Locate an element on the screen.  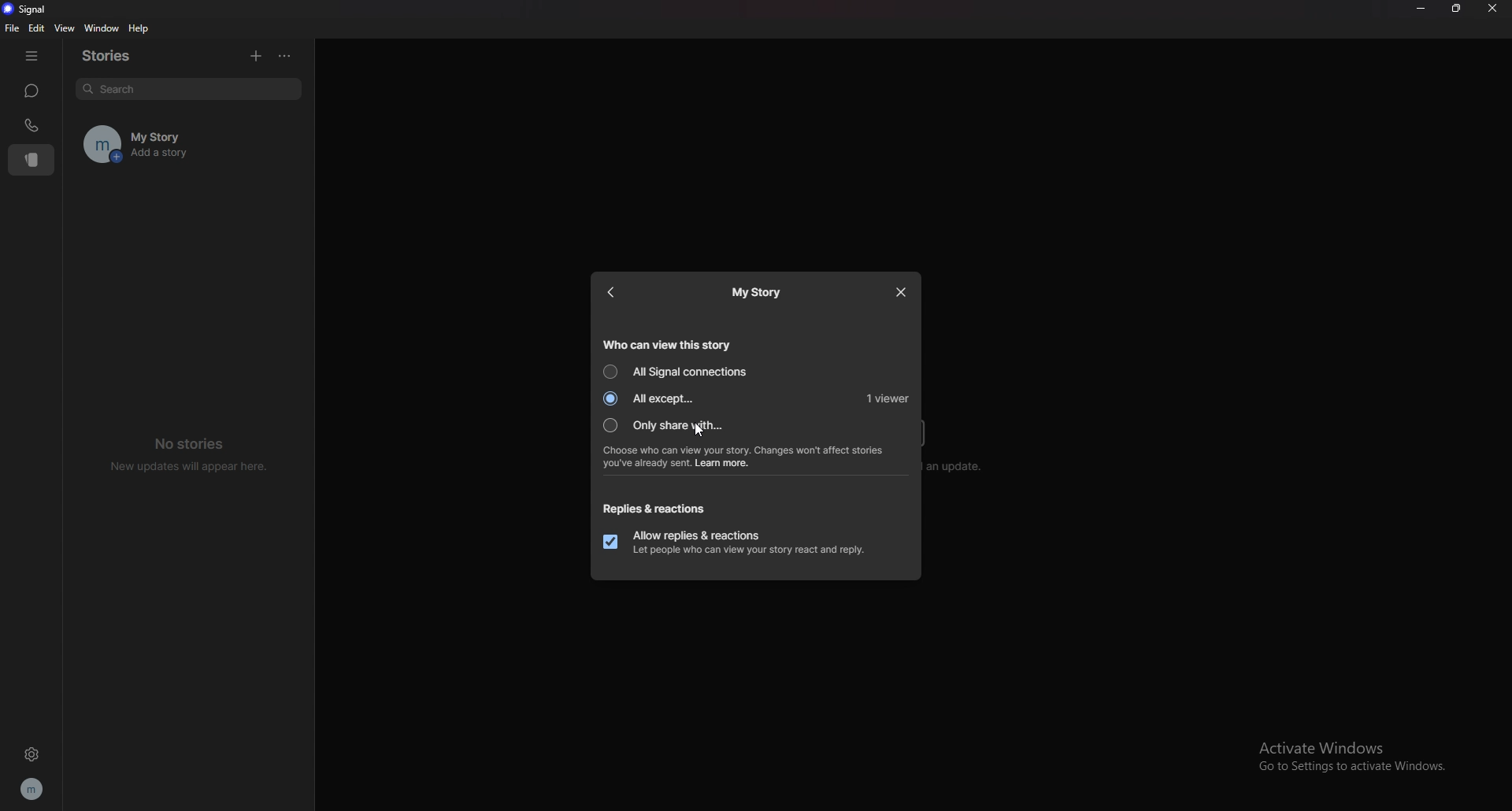
minimize is located at coordinates (1421, 9).